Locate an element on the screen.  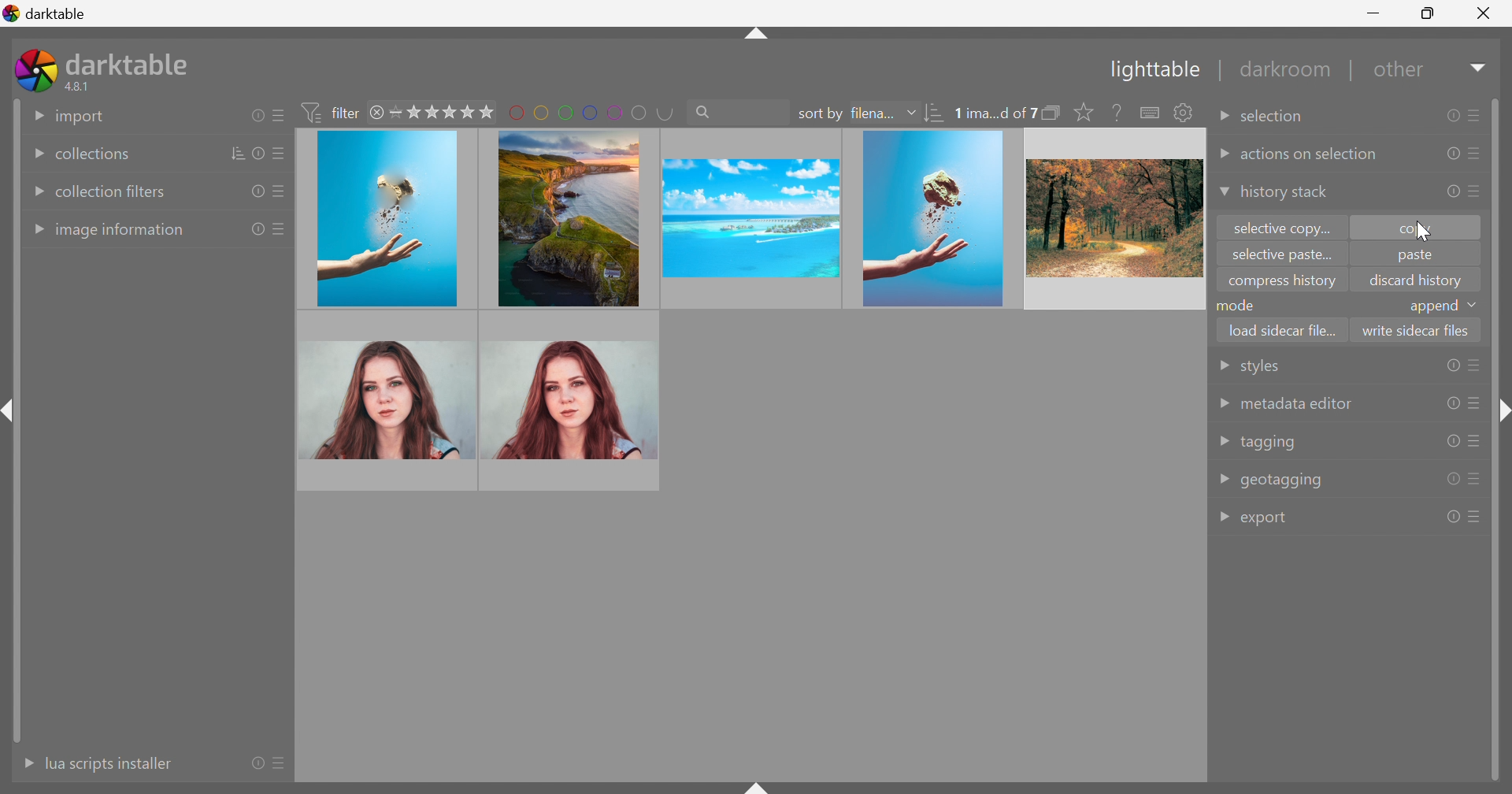
presets is located at coordinates (283, 765).